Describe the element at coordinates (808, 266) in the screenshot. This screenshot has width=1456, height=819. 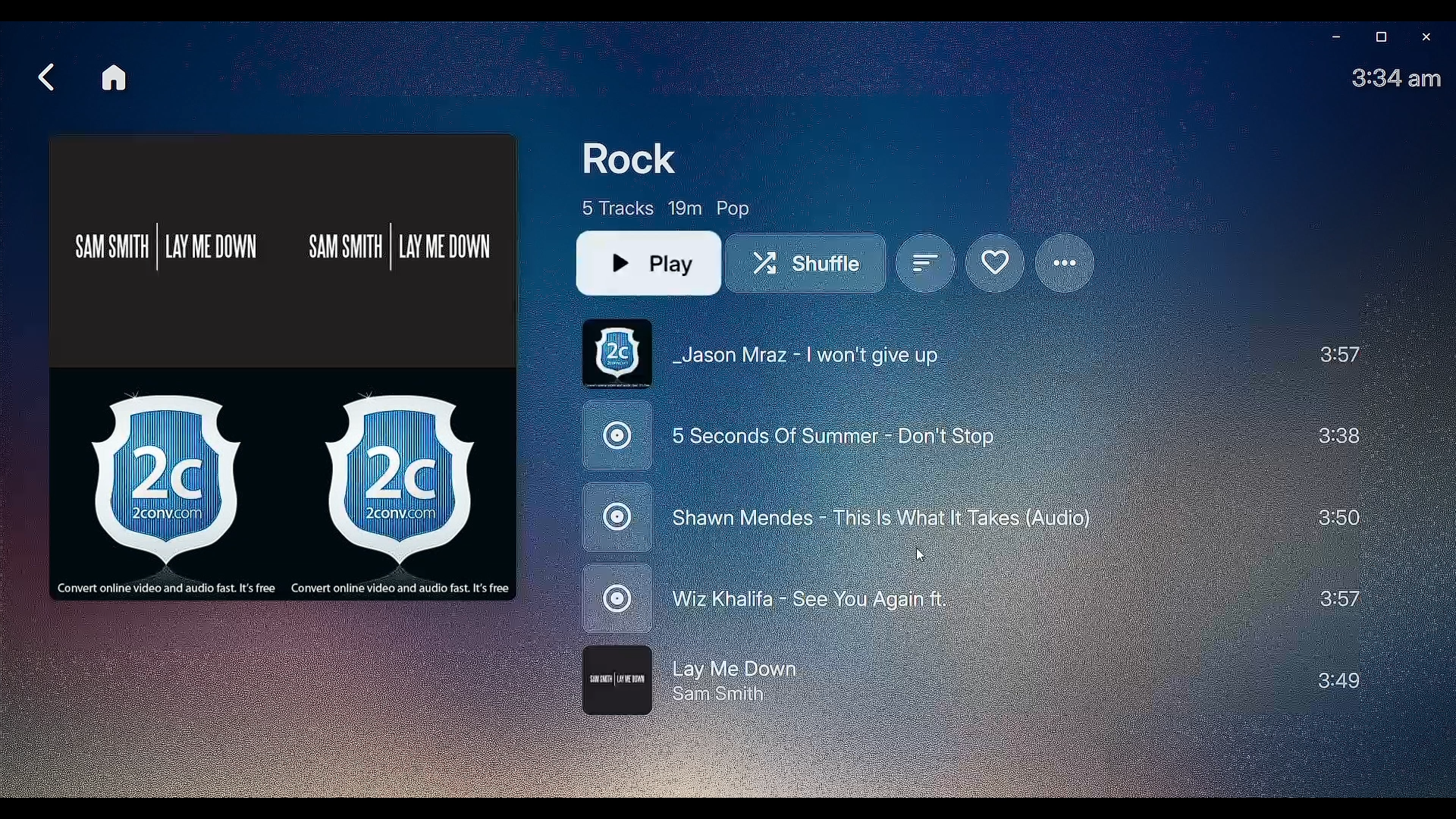
I see `Shuffle` at that location.